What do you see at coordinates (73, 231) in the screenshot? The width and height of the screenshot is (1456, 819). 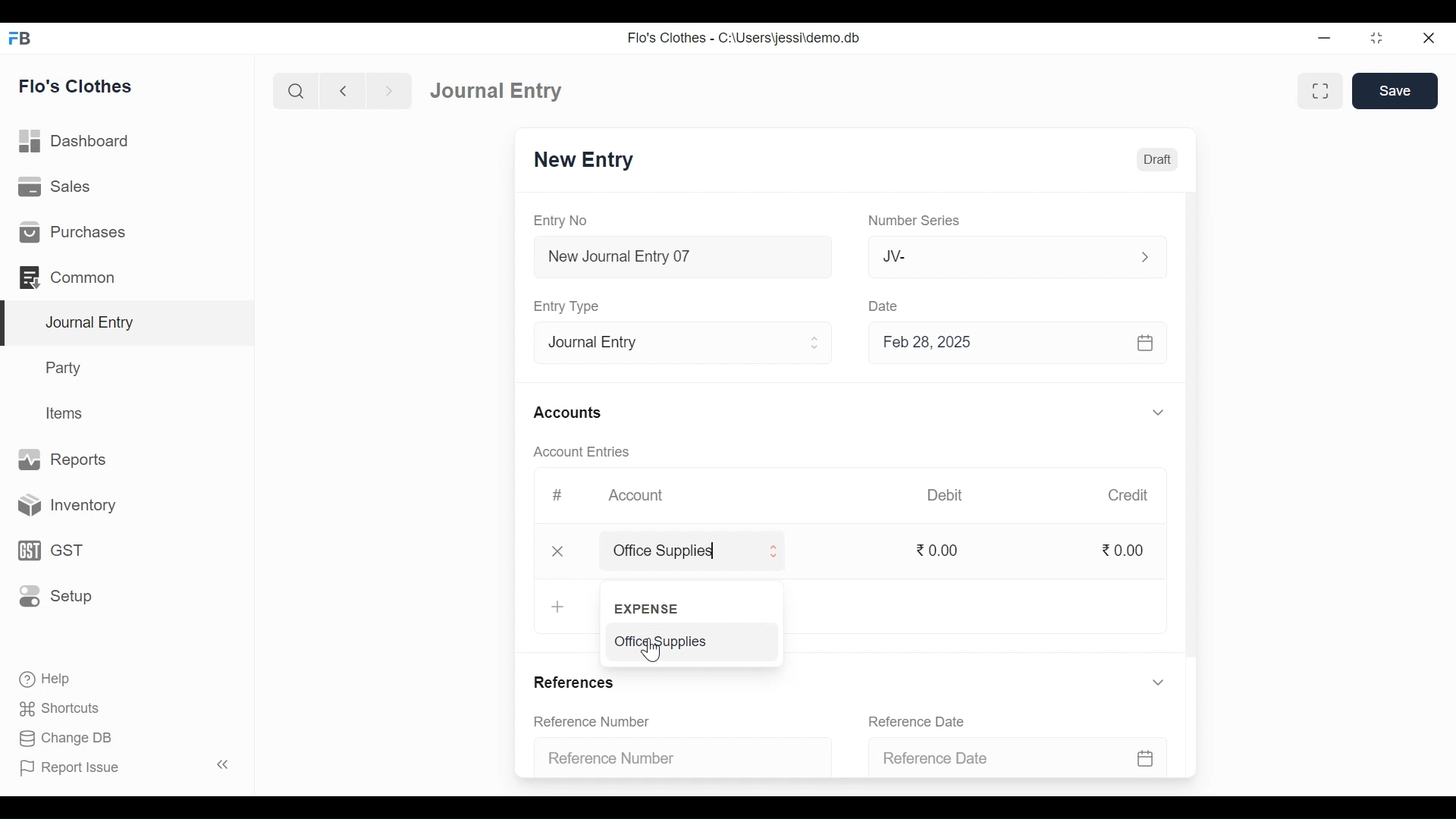 I see `Purchases` at bounding box center [73, 231].